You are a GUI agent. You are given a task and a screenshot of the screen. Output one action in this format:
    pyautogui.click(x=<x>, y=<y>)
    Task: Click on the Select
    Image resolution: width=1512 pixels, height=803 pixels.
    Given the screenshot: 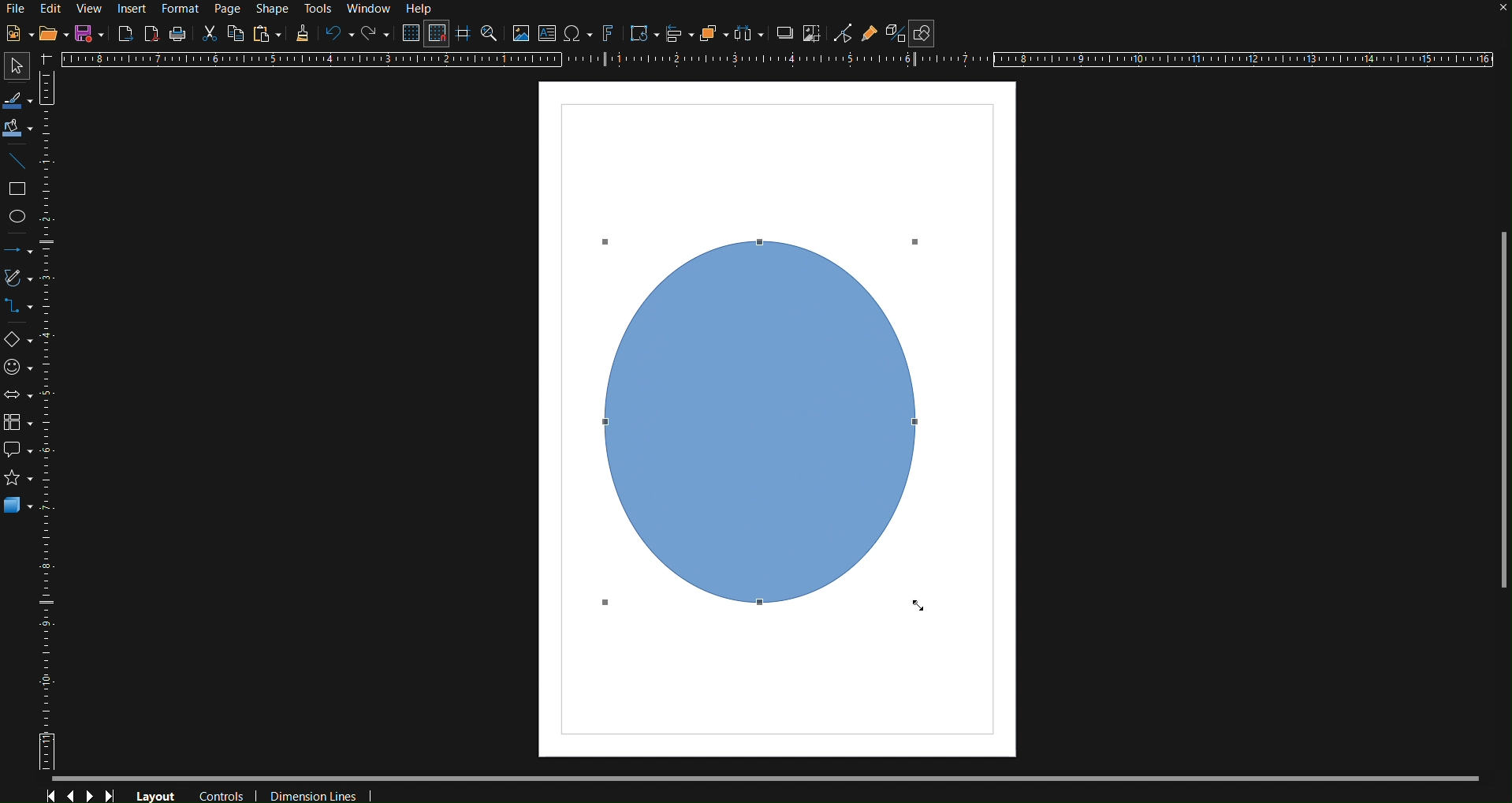 What is the action you would take?
    pyautogui.click(x=13, y=66)
    